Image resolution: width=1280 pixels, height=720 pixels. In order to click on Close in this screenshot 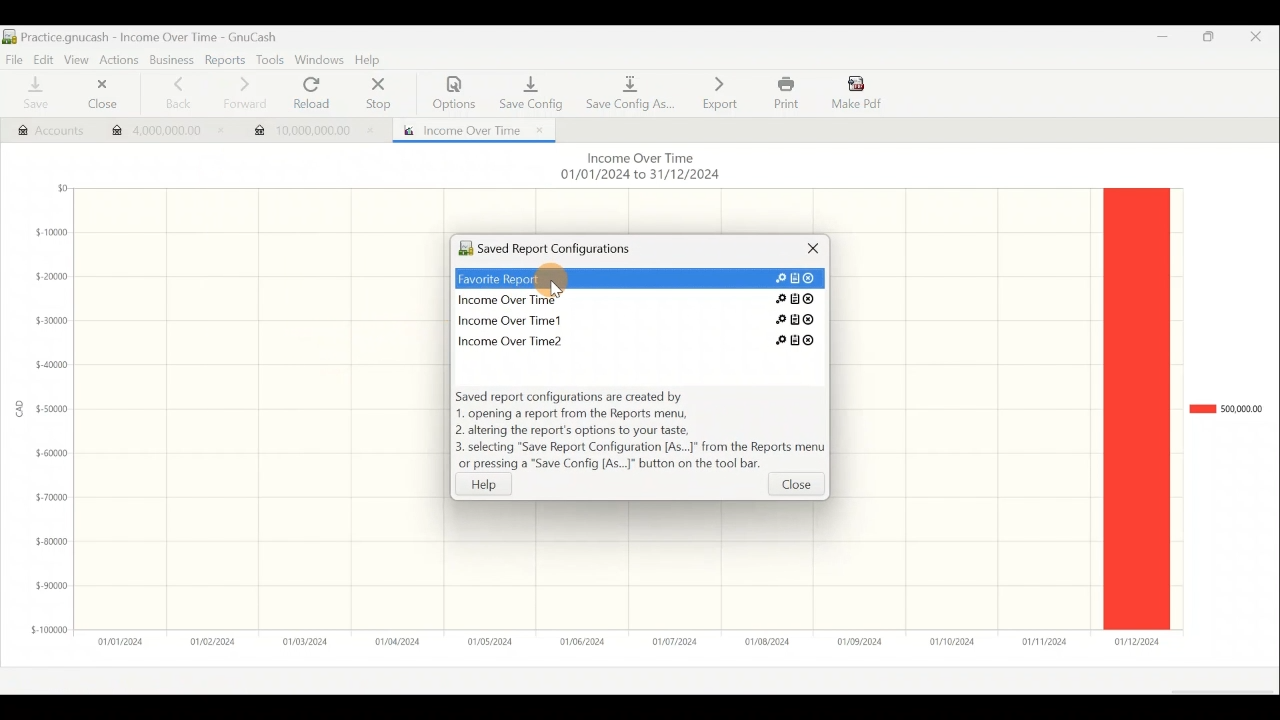, I will do `click(1263, 40)`.